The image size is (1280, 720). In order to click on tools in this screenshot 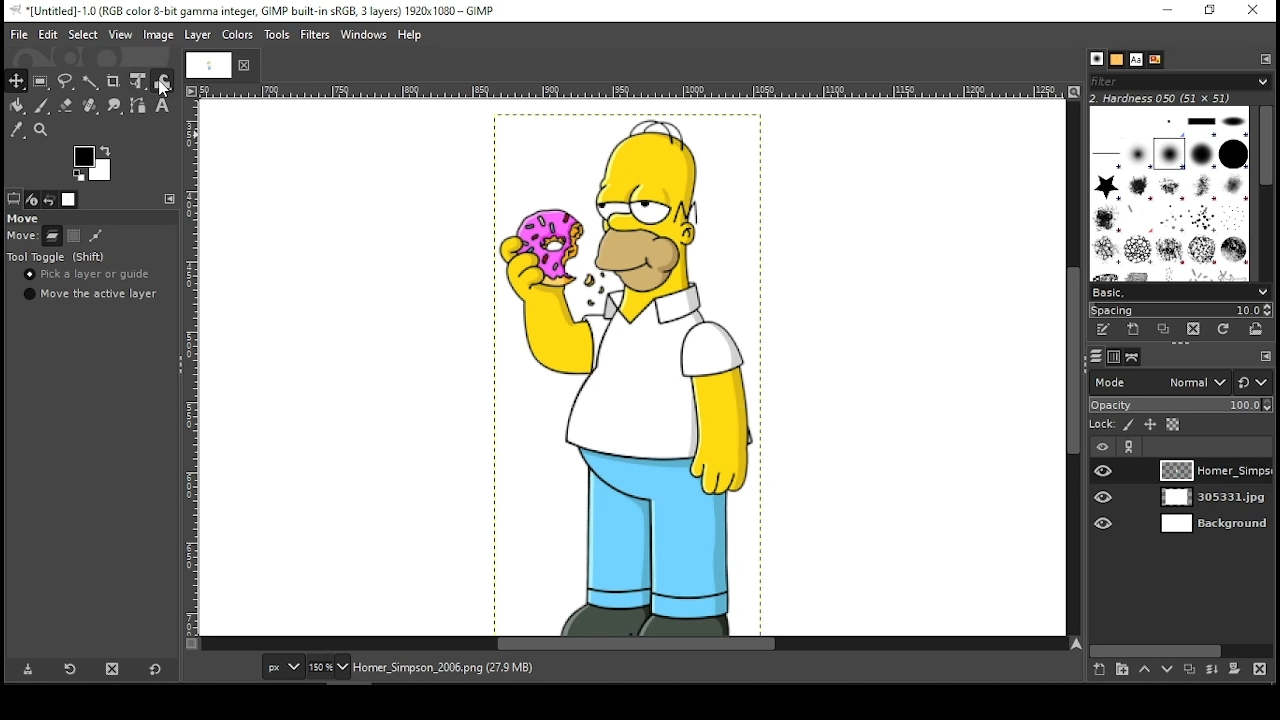, I will do `click(278, 34)`.